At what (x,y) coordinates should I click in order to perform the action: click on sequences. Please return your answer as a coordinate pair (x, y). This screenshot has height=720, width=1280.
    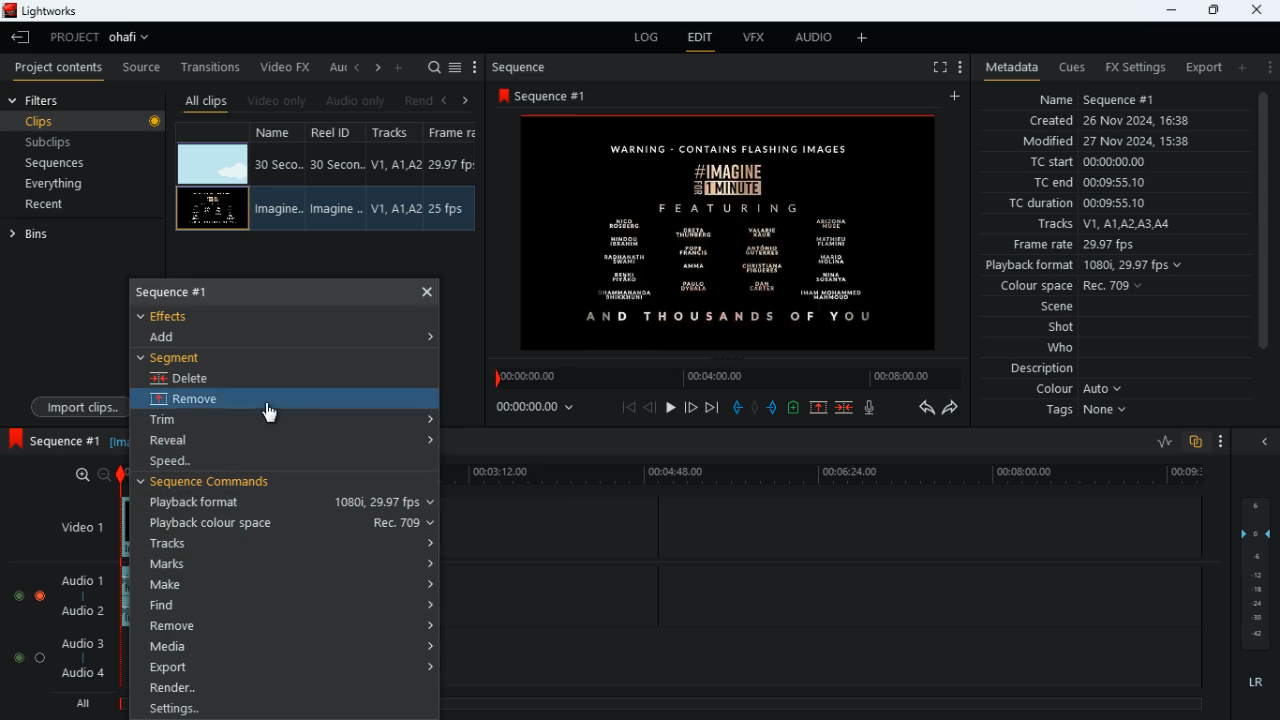
    Looking at the image, I should click on (62, 164).